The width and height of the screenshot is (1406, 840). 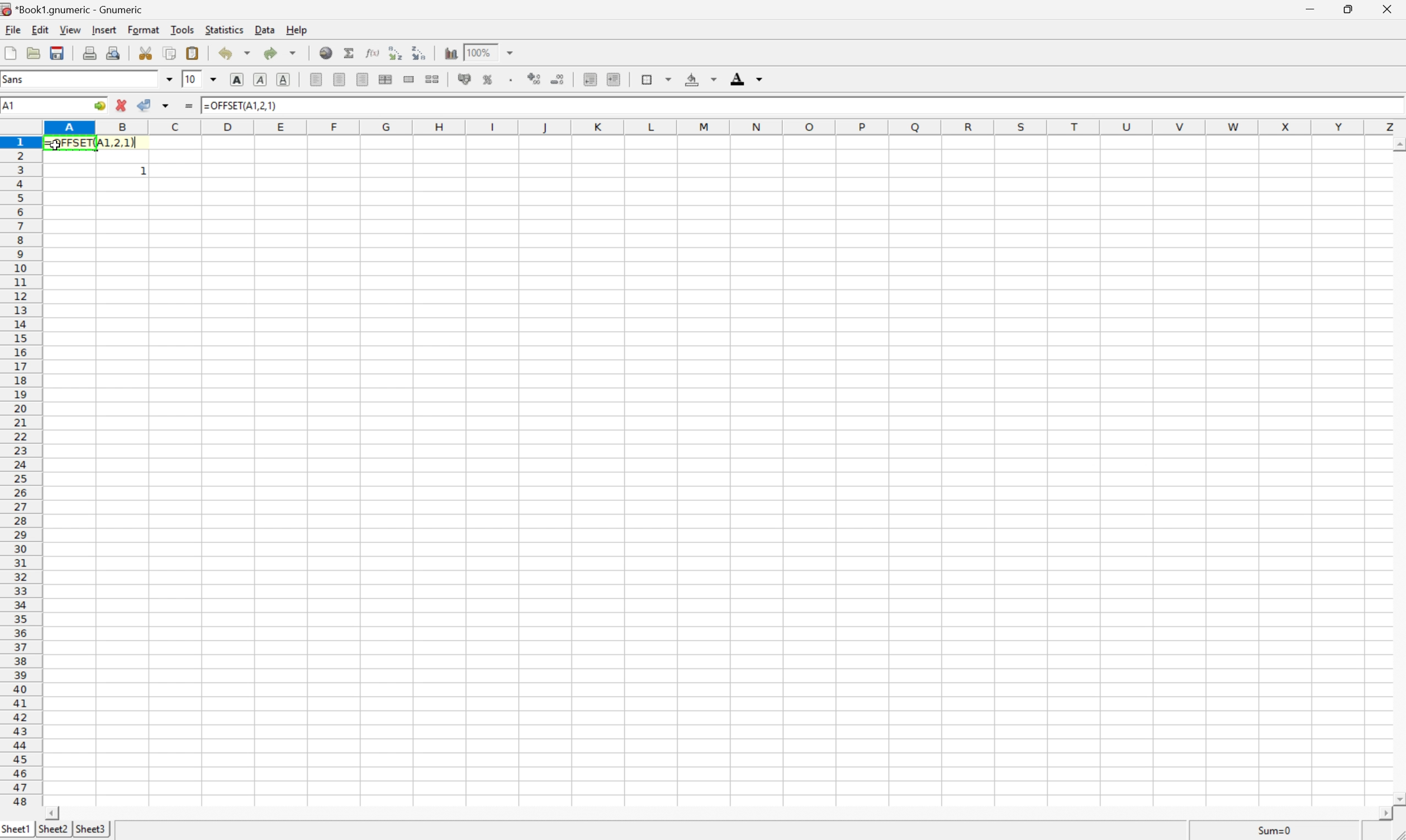 I want to click on scroll left, so click(x=54, y=813).